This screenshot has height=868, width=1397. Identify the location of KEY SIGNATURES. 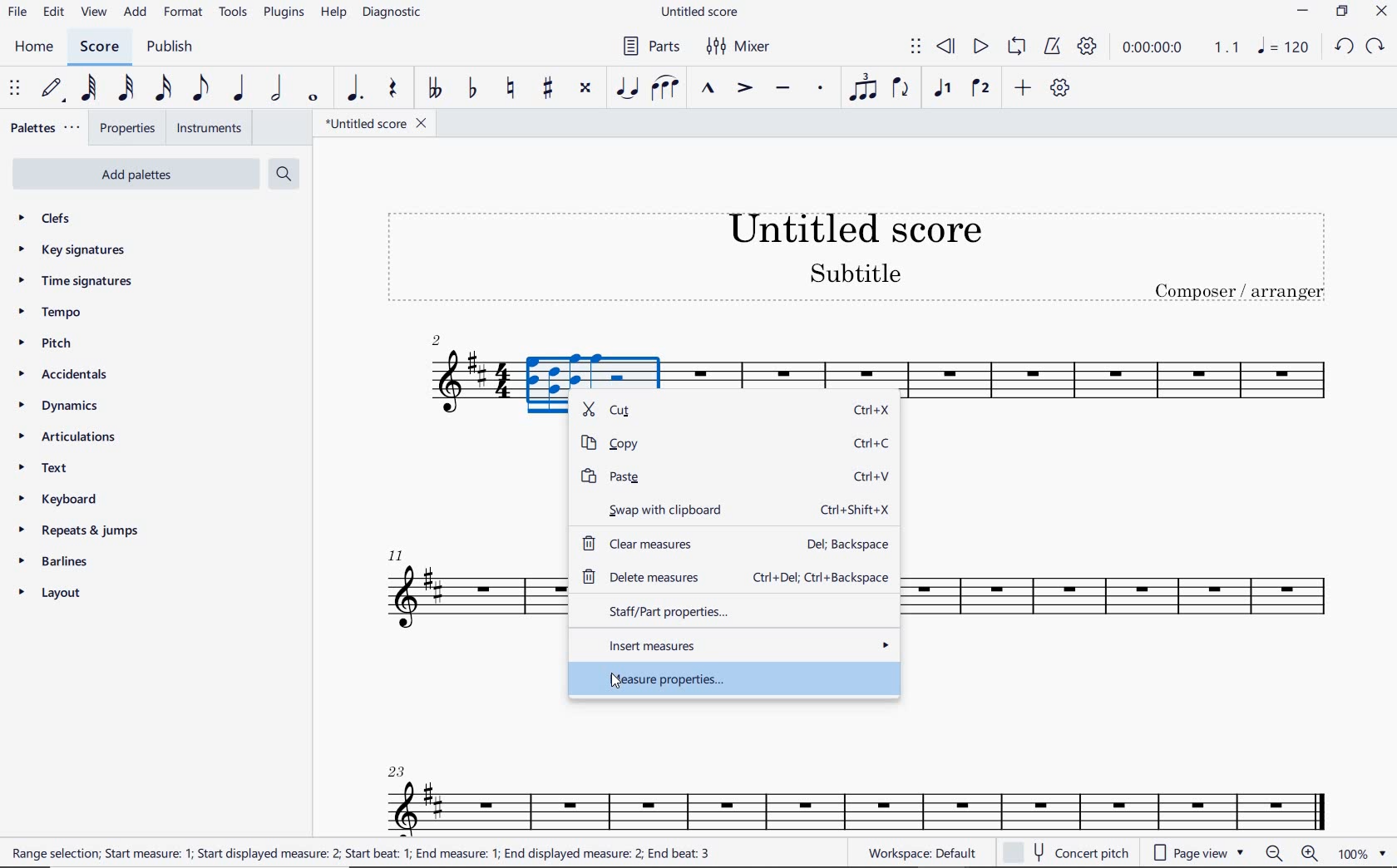
(77, 249).